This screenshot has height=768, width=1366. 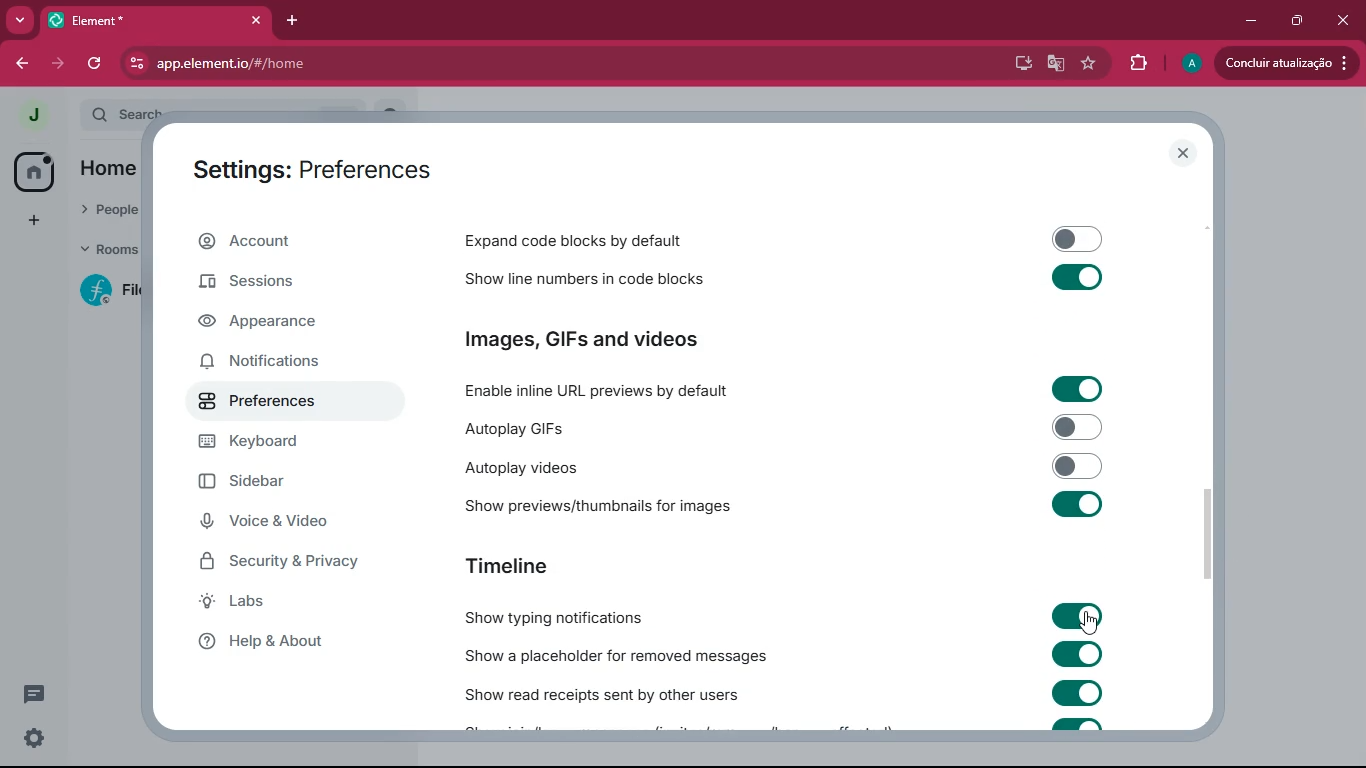 What do you see at coordinates (32, 221) in the screenshot?
I see `add` at bounding box center [32, 221].